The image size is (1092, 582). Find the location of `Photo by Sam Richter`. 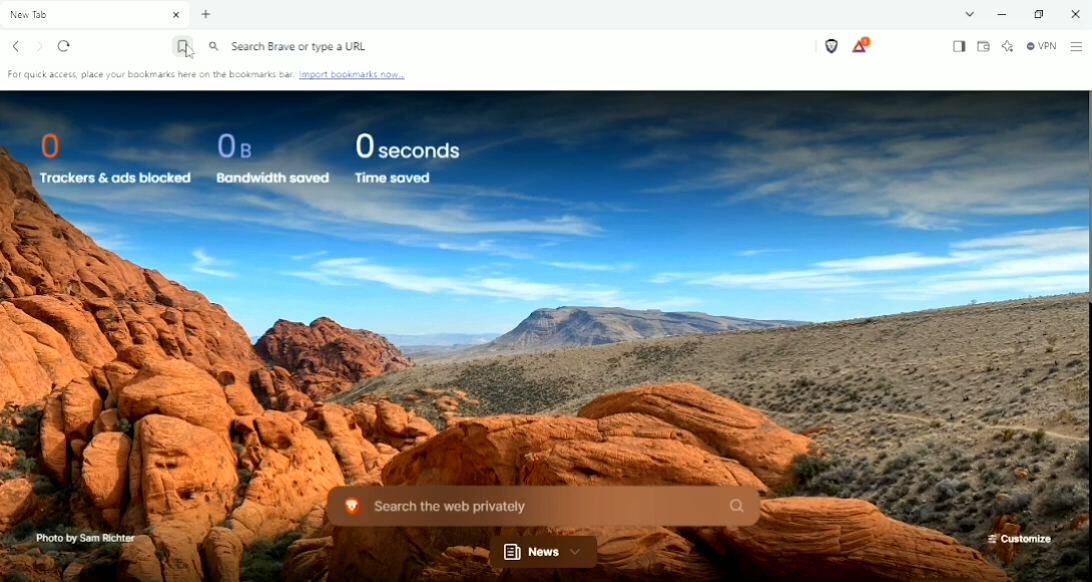

Photo by Sam Richter is located at coordinates (83, 538).